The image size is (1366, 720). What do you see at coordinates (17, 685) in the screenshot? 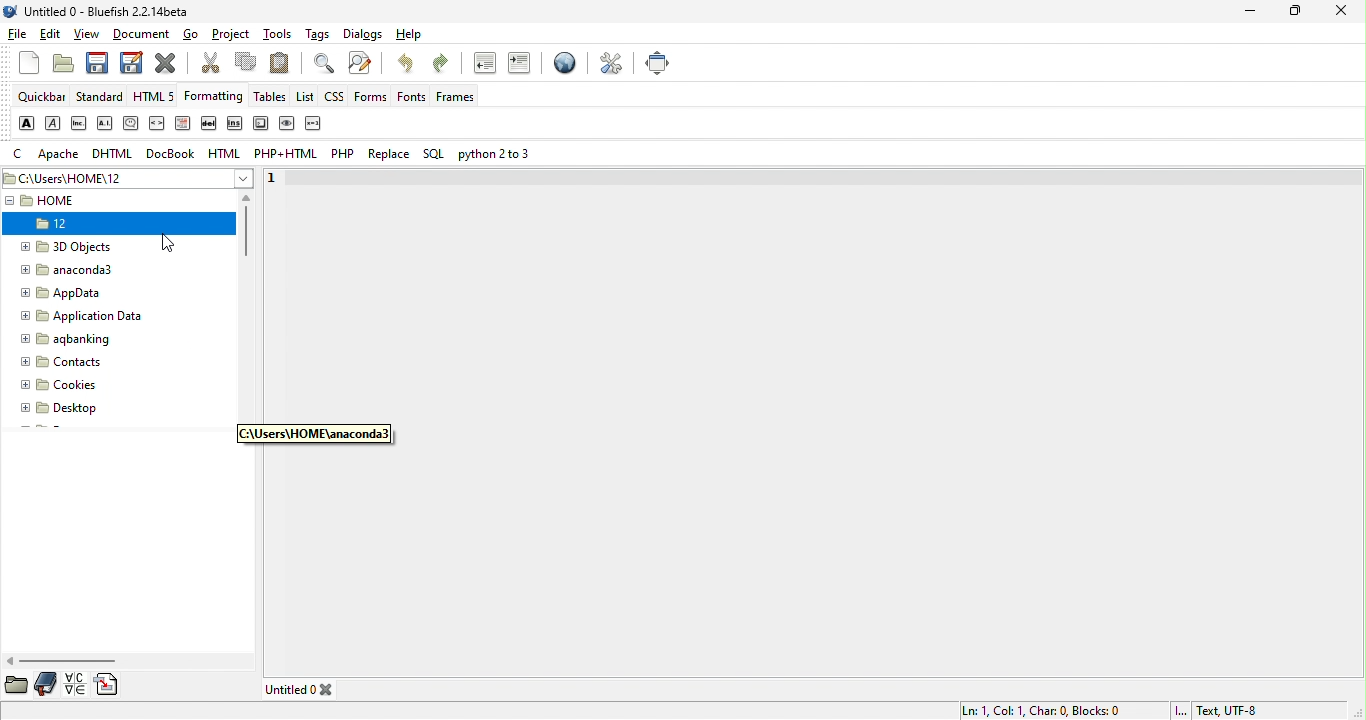
I see `file browser` at bounding box center [17, 685].